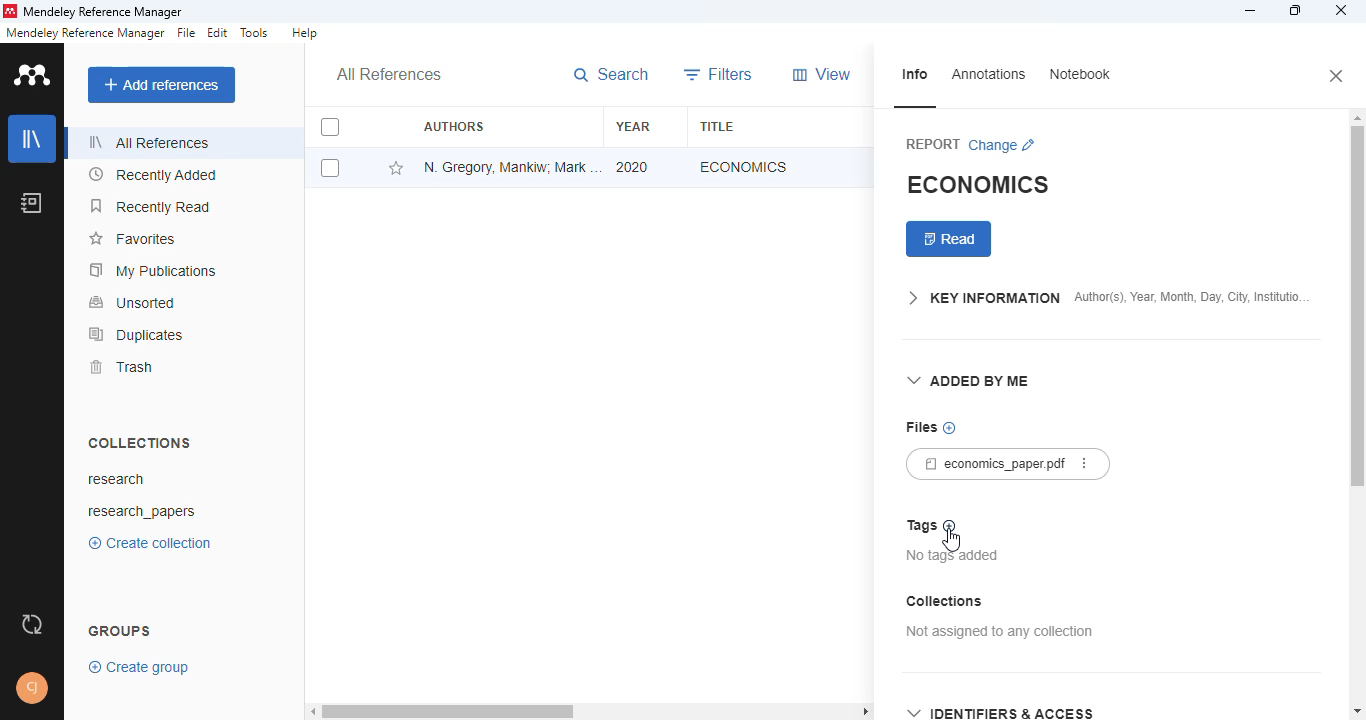 This screenshot has height=720, width=1366. What do you see at coordinates (914, 75) in the screenshot?
I see `info` at bounding box center [914, 75].